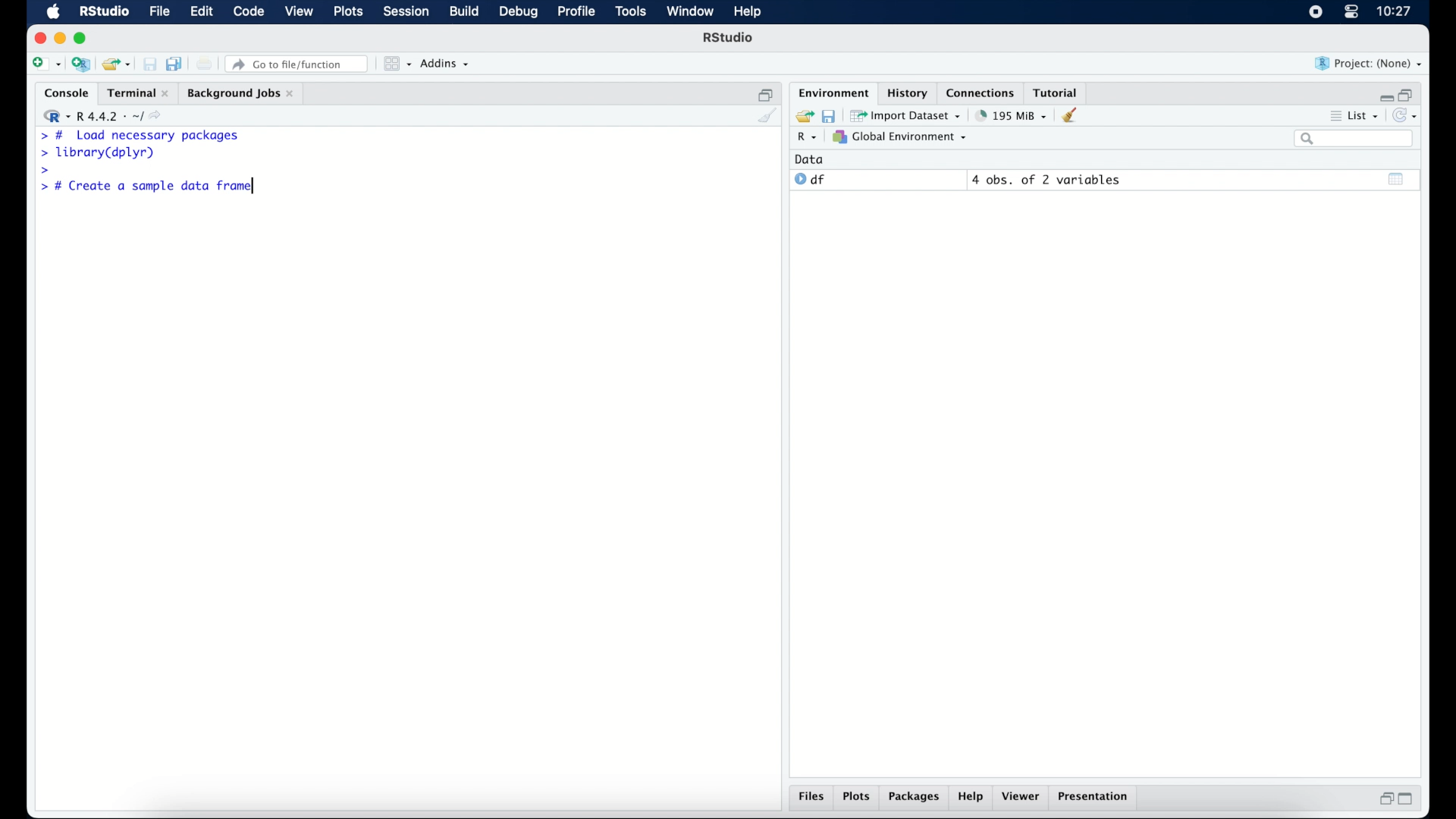  I want to click on 10.27, so click(1394, 11).